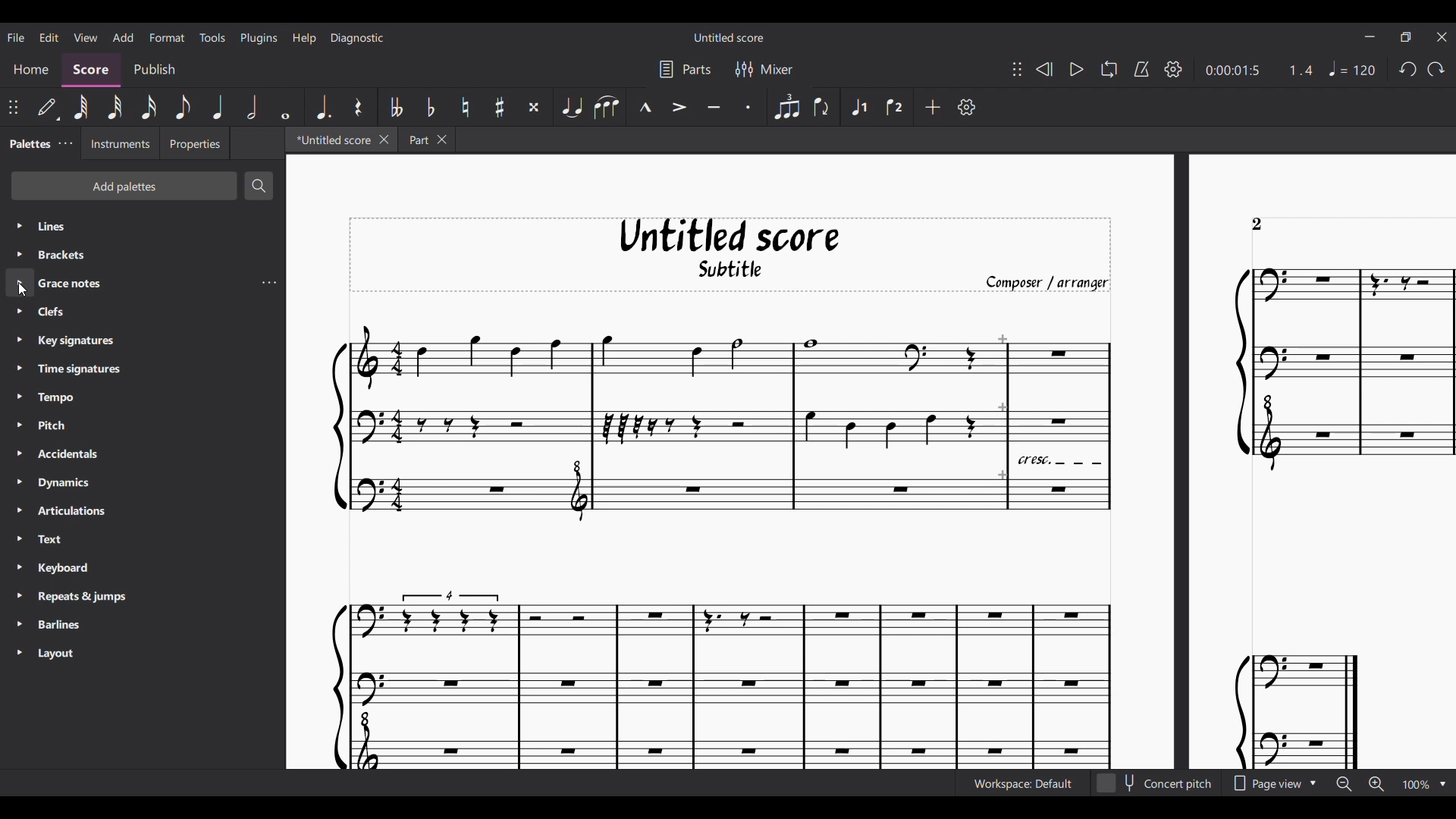  What do you see at coordinates (251, 107) in the screenshot?
I see `Half note` at bounding box center [251, 107].